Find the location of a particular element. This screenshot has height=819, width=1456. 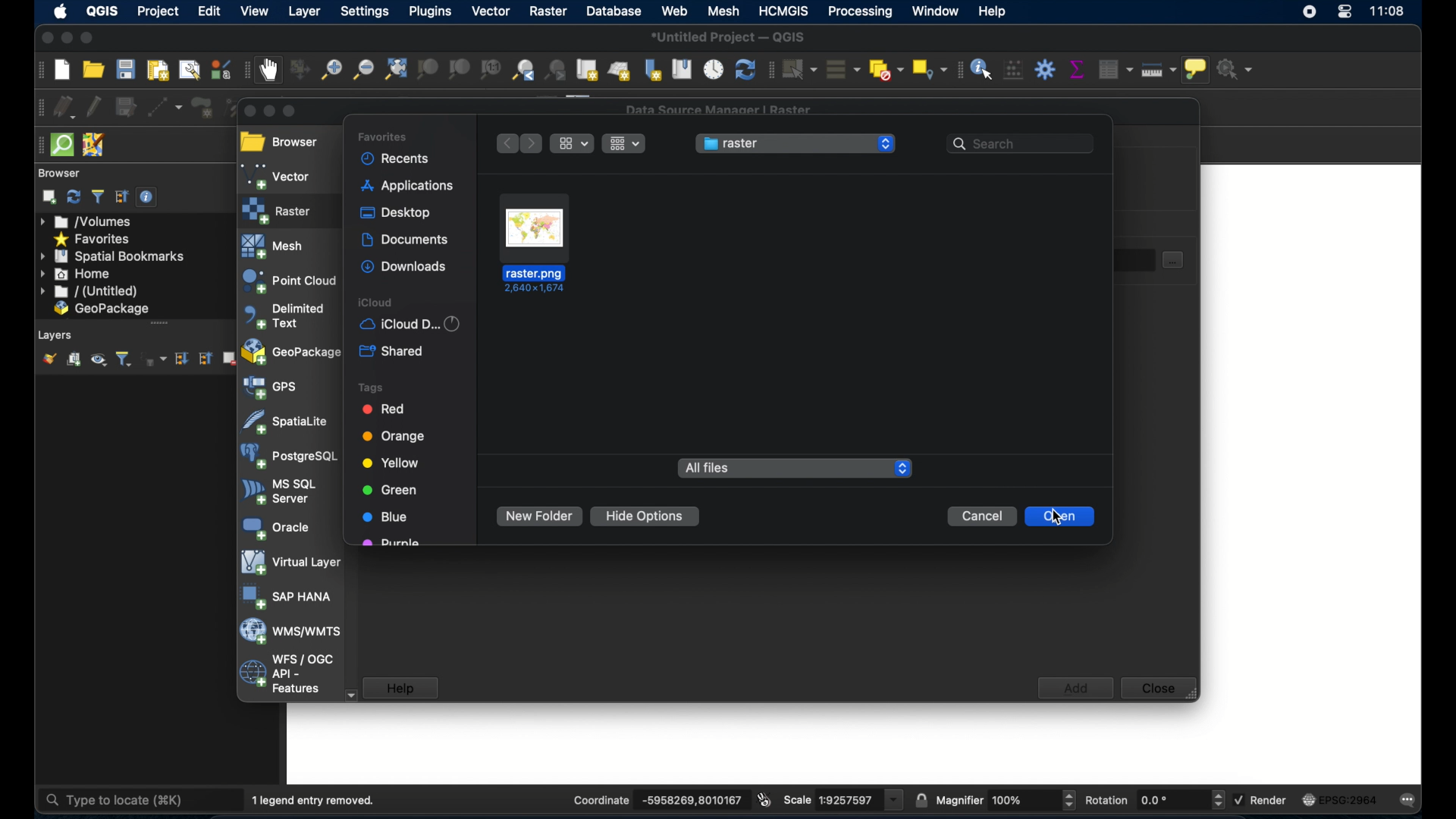

attribute toolbar is located at coordinates (957, 70).